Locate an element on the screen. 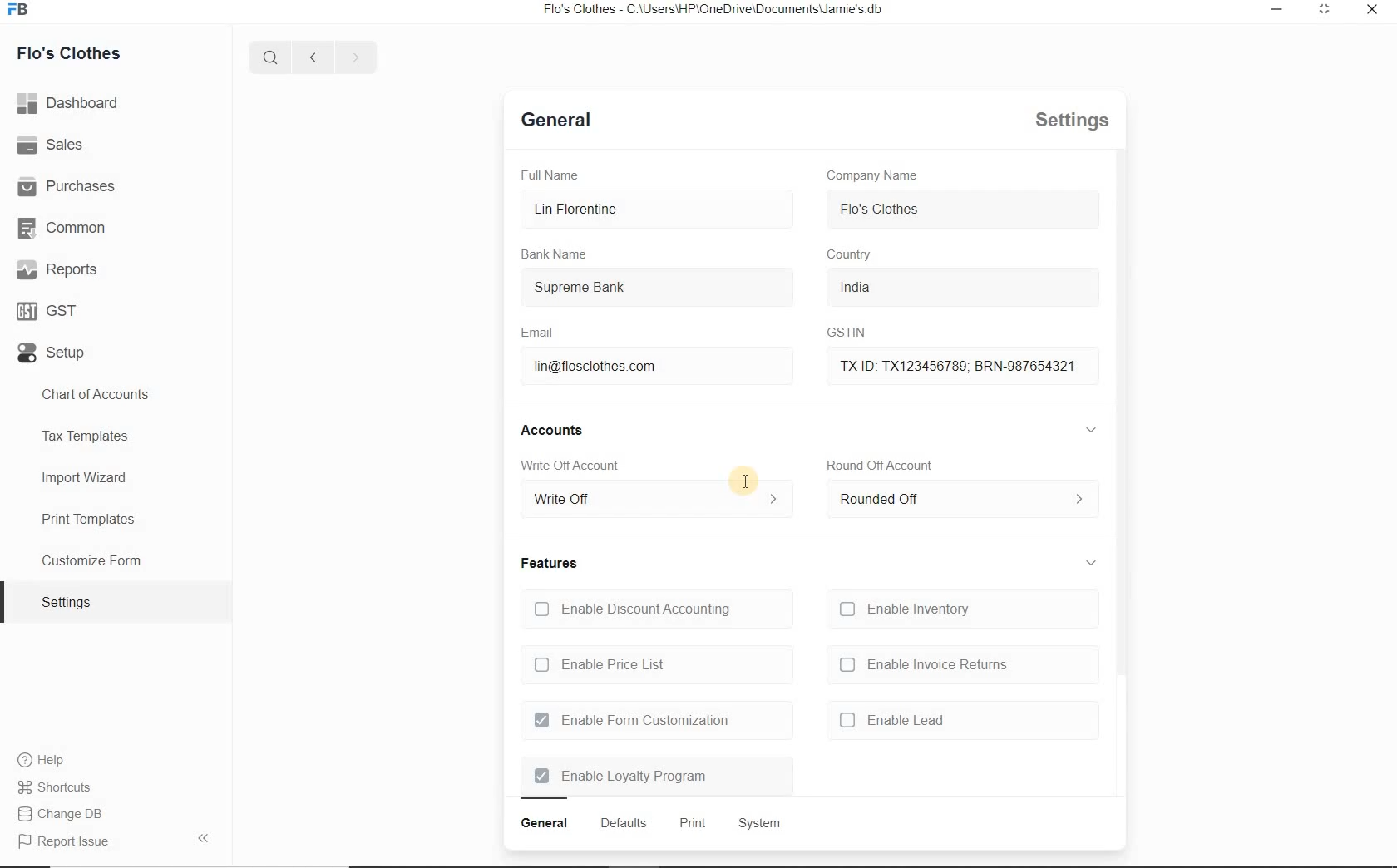 The image size is (1397, 868). Expand is located at coordinates (1322, 10).